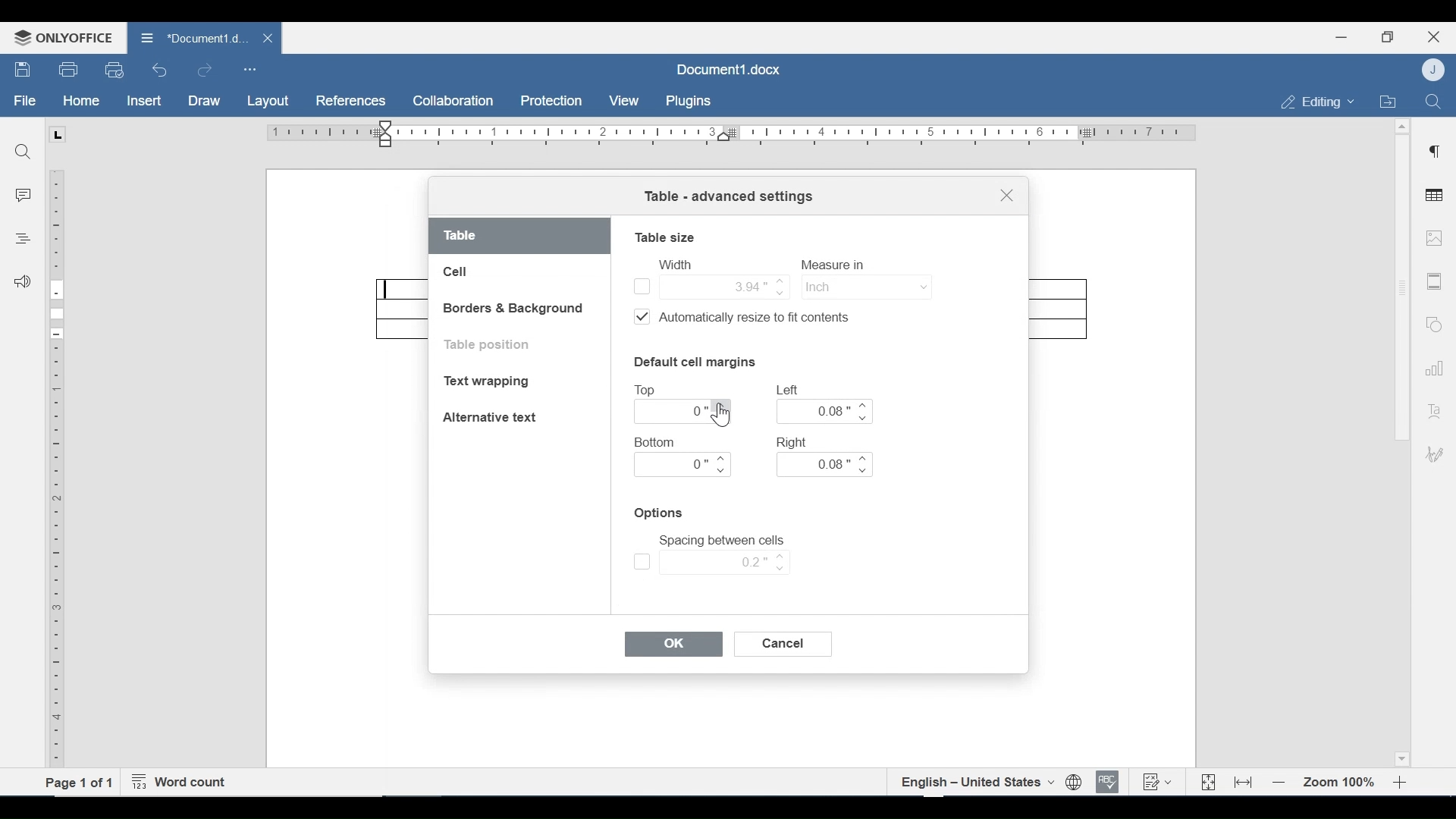 Image resolution: width=1456 pixels, height=819 pixels. What do you see at coordinates (454, 101) in the screenshot?
I see `Collaboration` at bounding box center [454, 101].